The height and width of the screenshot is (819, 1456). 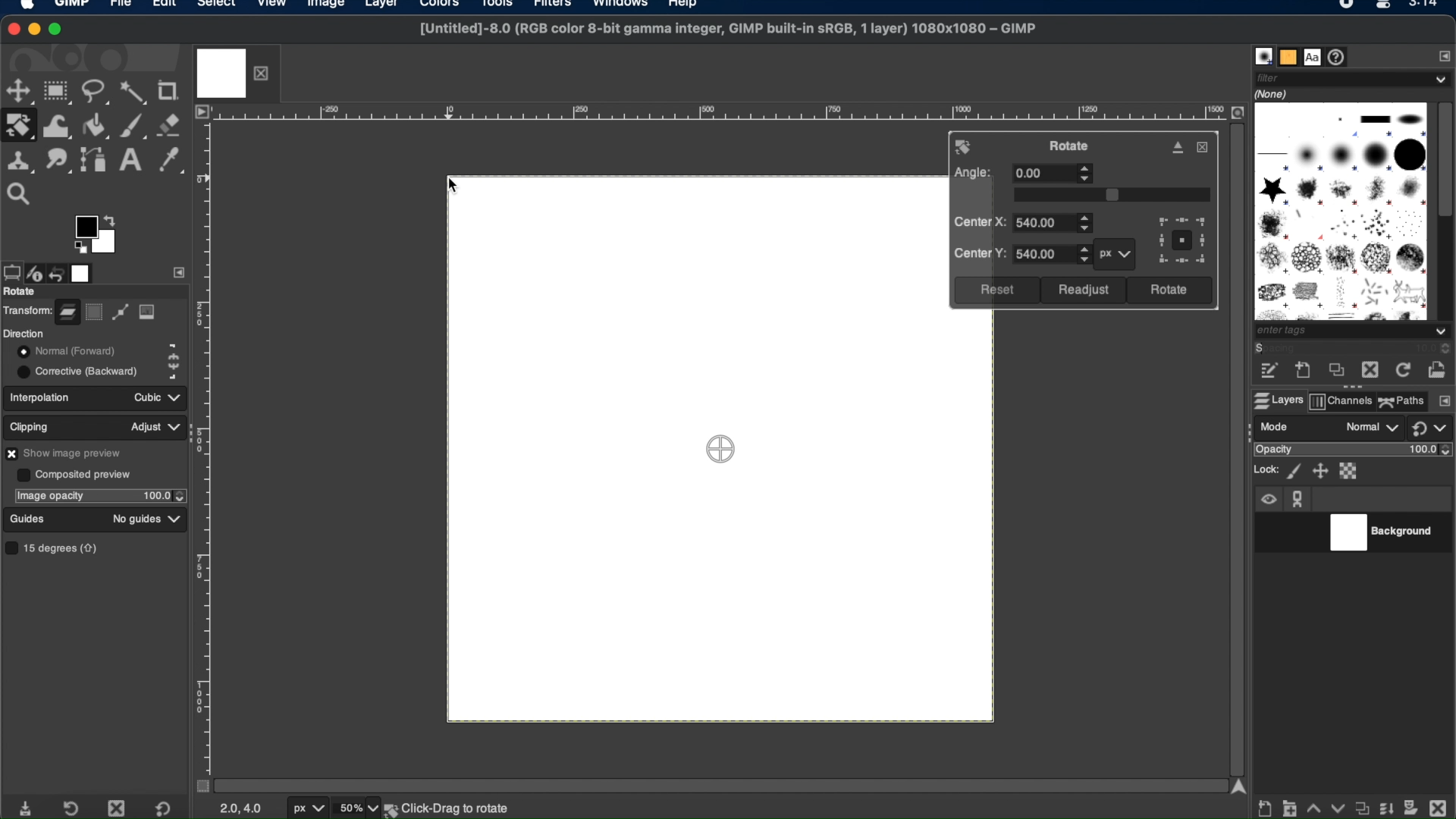 I want to click on refresh brushes, so click(x=1401, y=371).